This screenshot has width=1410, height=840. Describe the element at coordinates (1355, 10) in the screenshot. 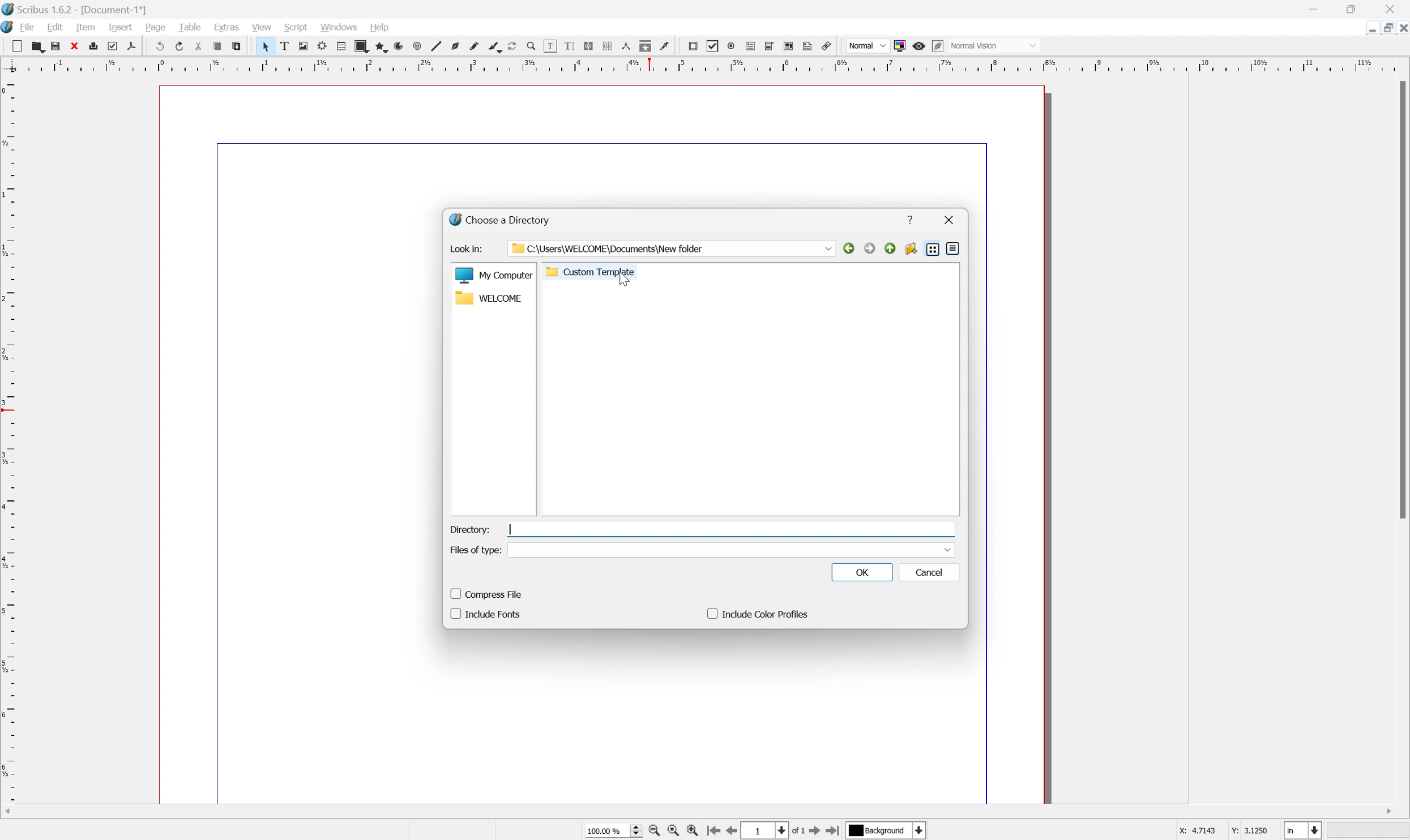

I see `Restore Down` at that location.